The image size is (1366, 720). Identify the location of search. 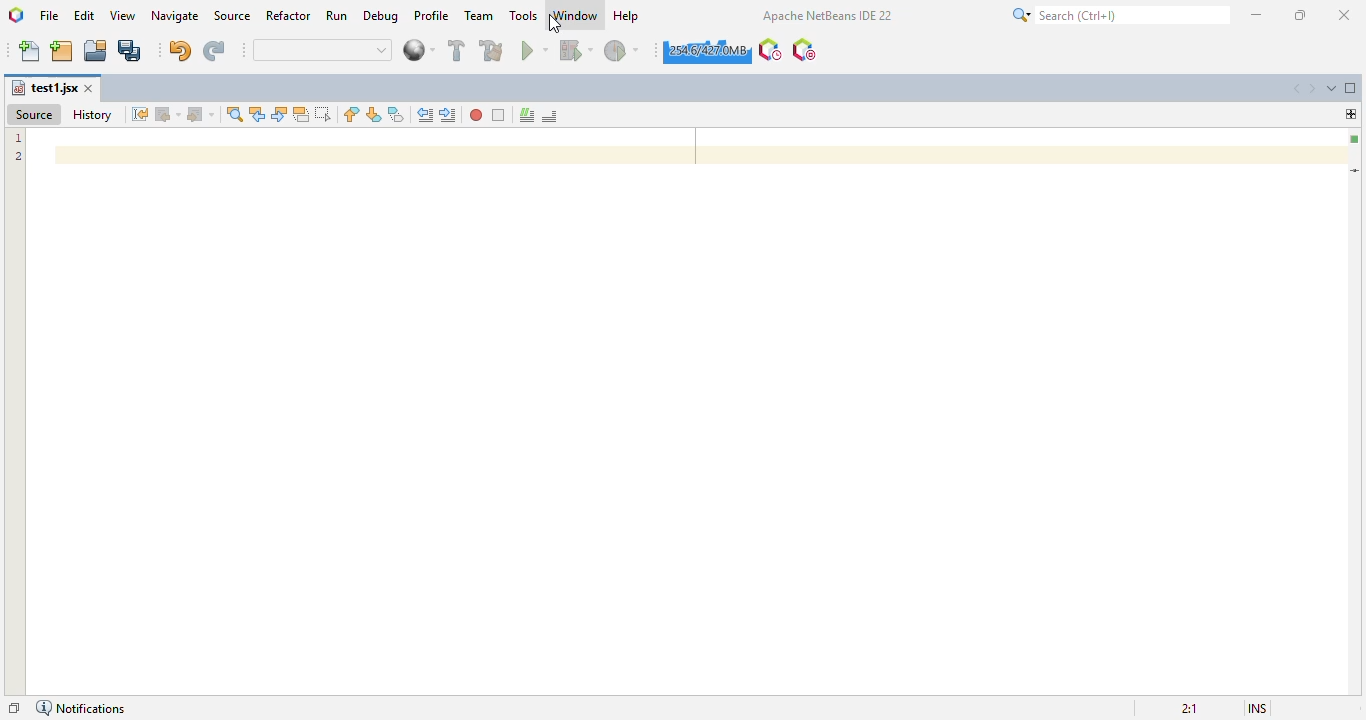
(1121, 15).